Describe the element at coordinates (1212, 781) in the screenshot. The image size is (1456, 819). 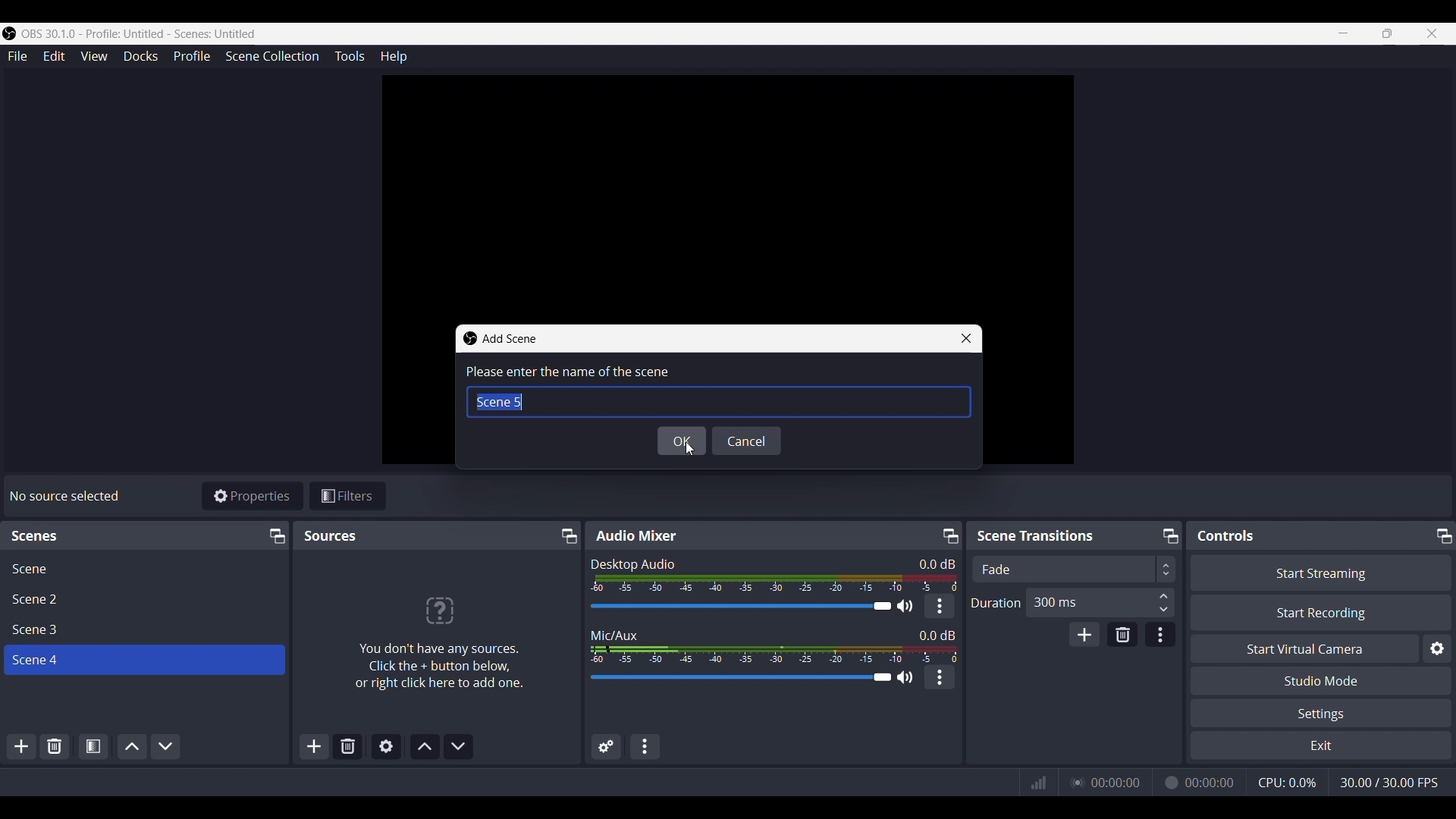
I see `00:00:00` at that location.